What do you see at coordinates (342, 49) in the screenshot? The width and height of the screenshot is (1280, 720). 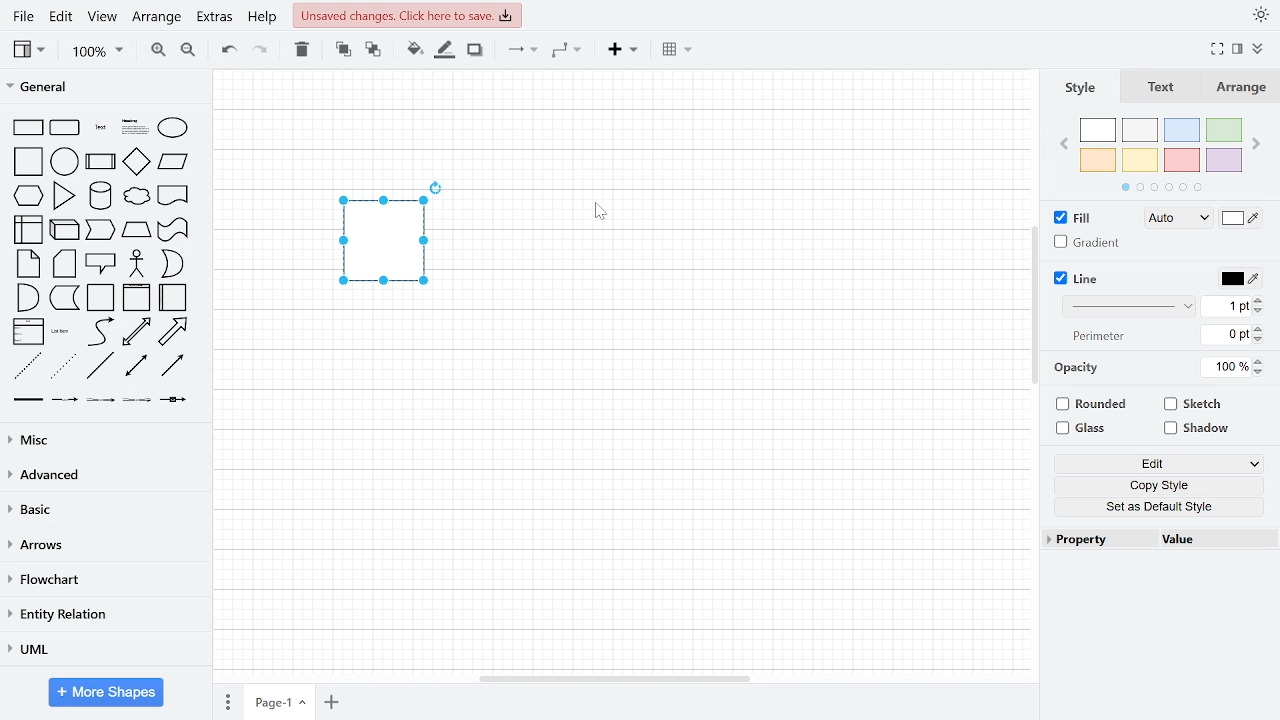 I see `to front` at bounding box center [342, 49].